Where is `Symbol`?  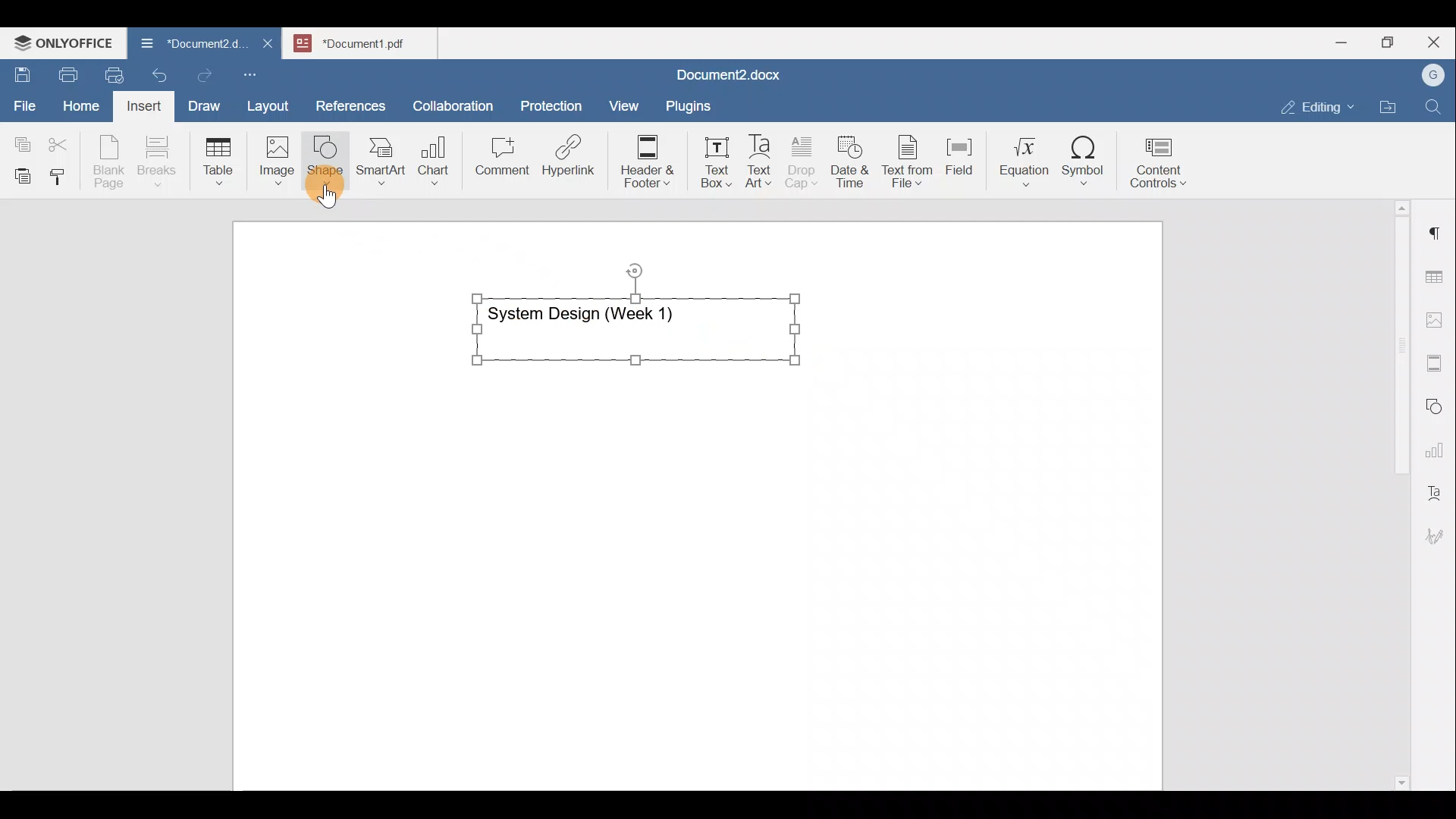 Symbol is located at coordinates (1084, 165).